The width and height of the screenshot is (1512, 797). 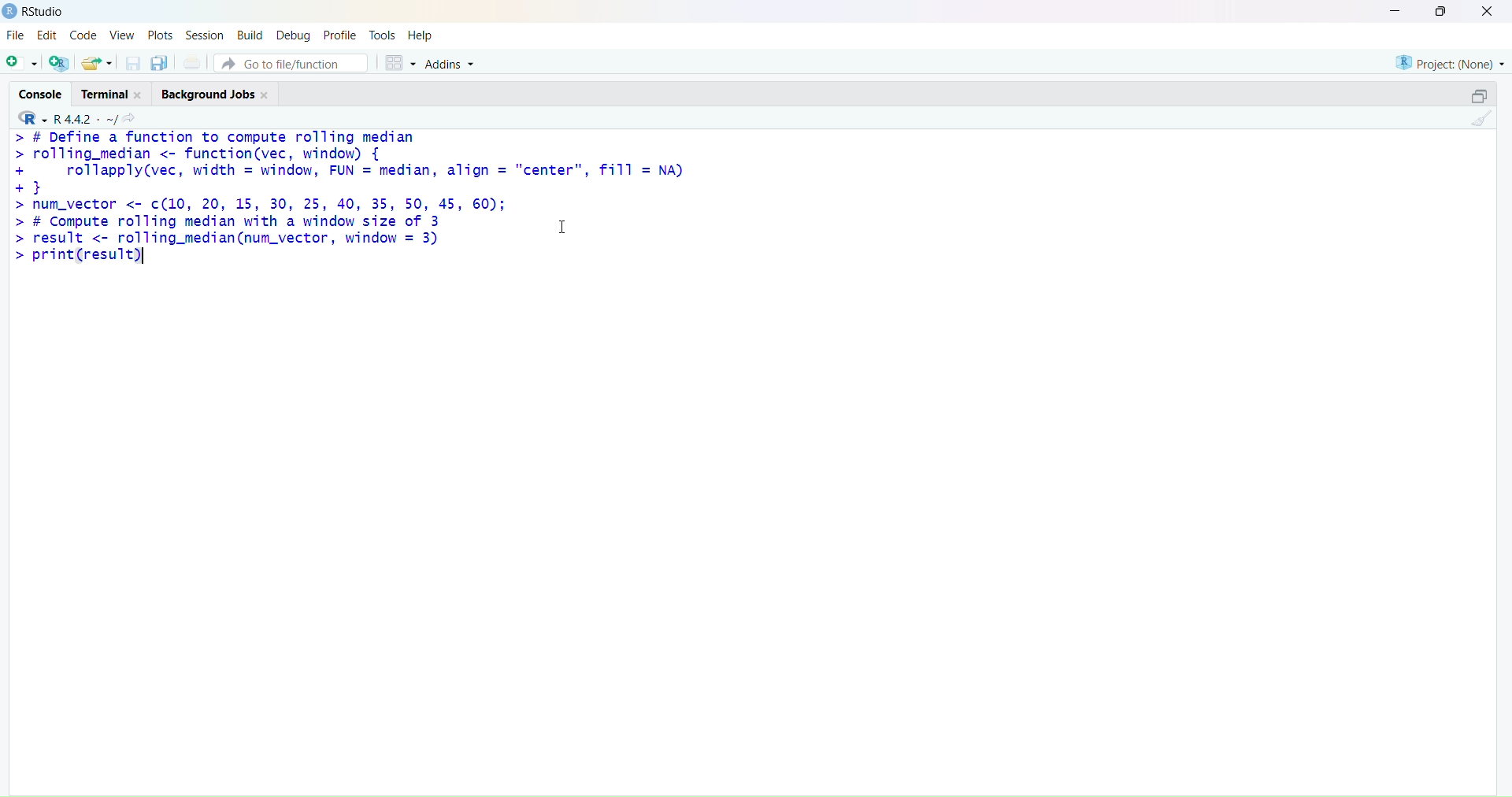 I want to click on addins, so click(x=449, y=65).